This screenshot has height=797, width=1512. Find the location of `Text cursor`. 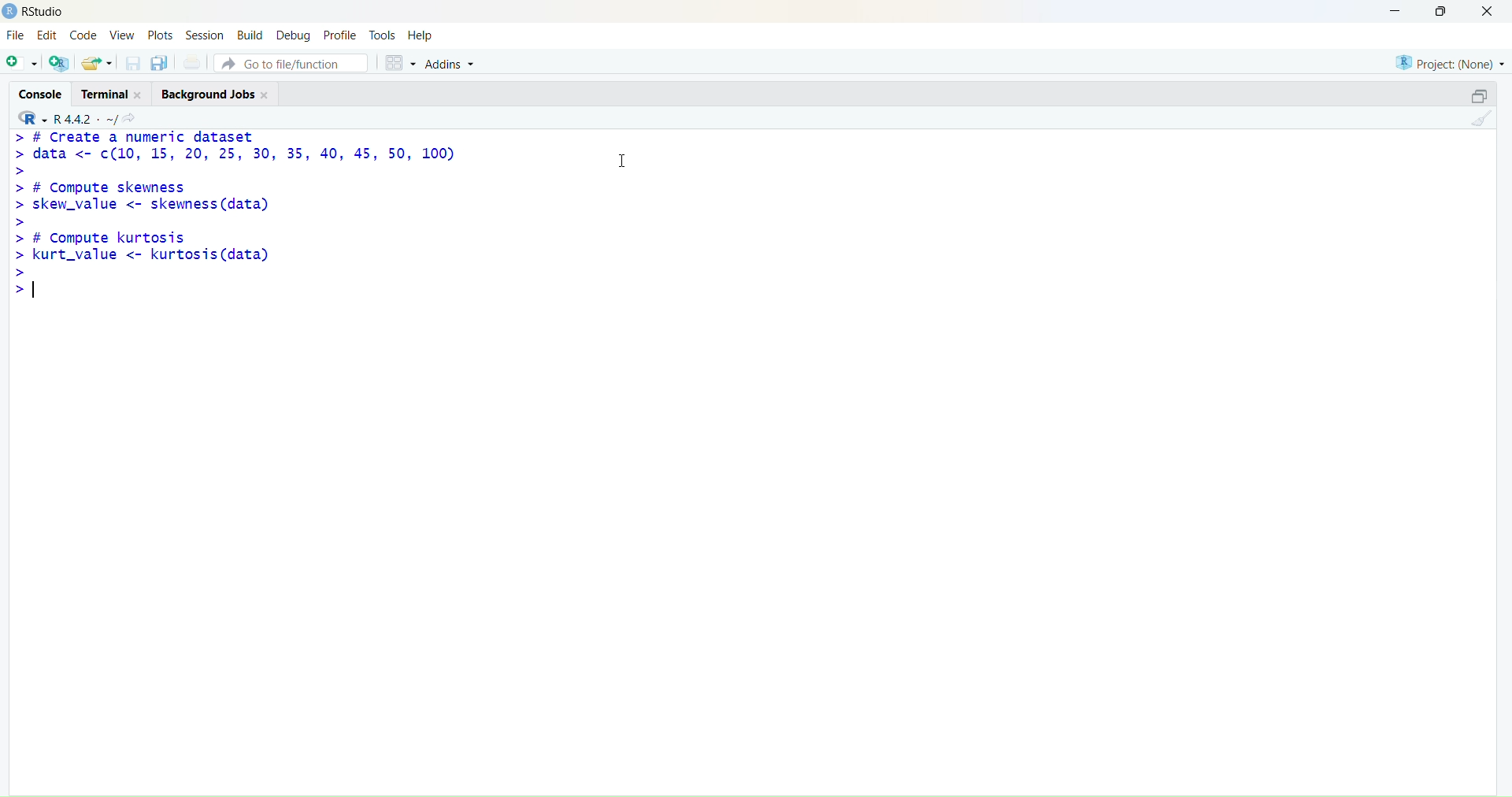

Text cursor is located at coordinates (626, 159).